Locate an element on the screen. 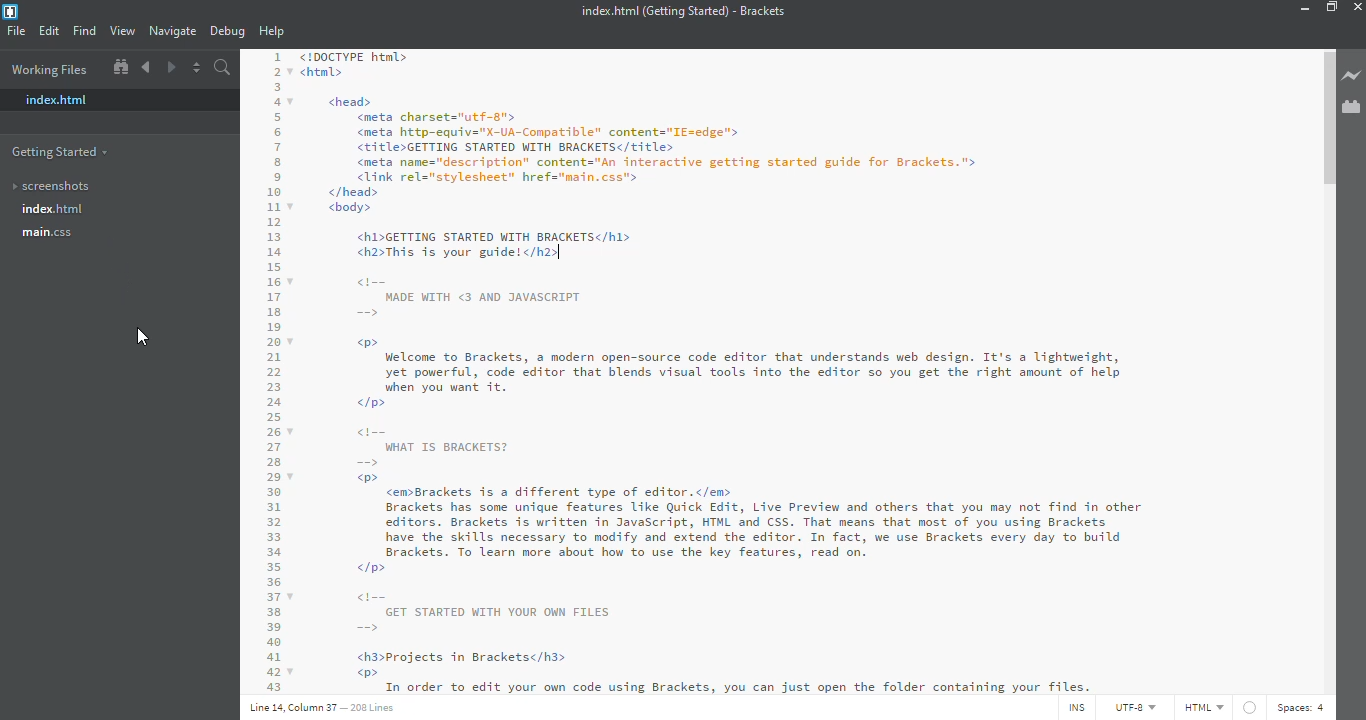 Image resolution: width=1366 pixels, height=720 pixels. navigate is located at coordinates (173, 30).